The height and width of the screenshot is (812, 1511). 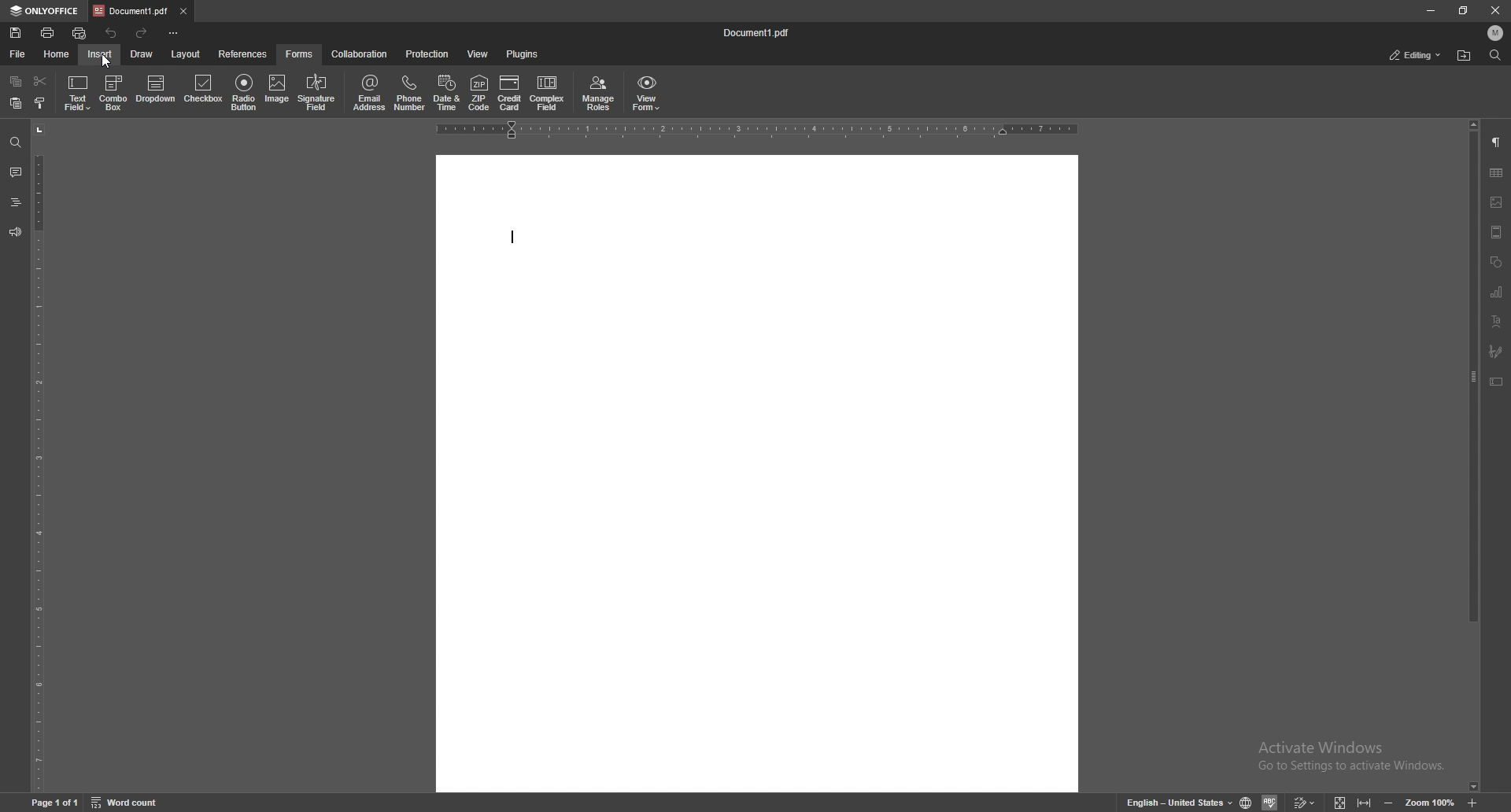 I want to click on zip code, so click(x=479, y=92).